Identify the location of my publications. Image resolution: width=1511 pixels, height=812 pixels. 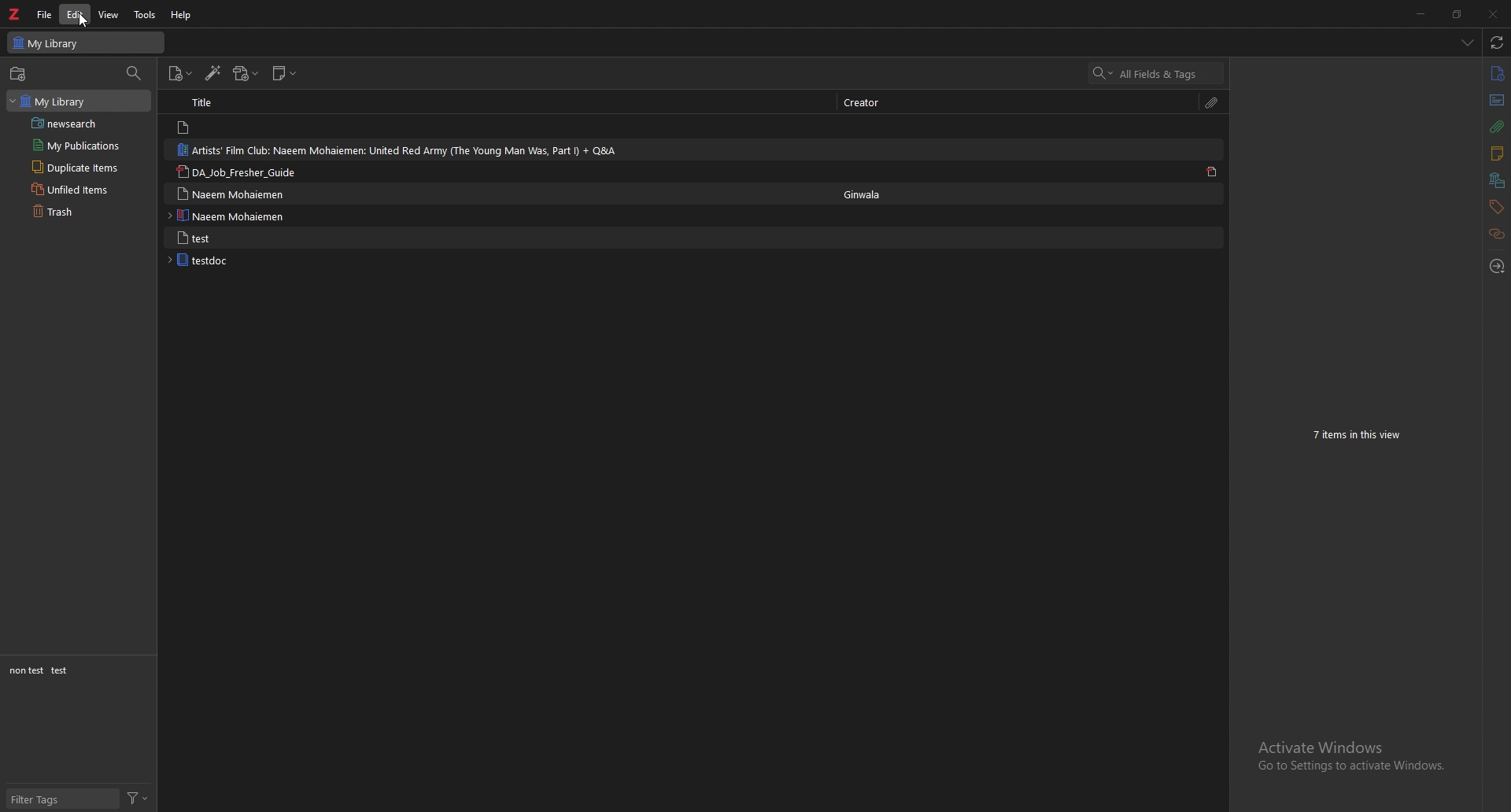
(79, 146).